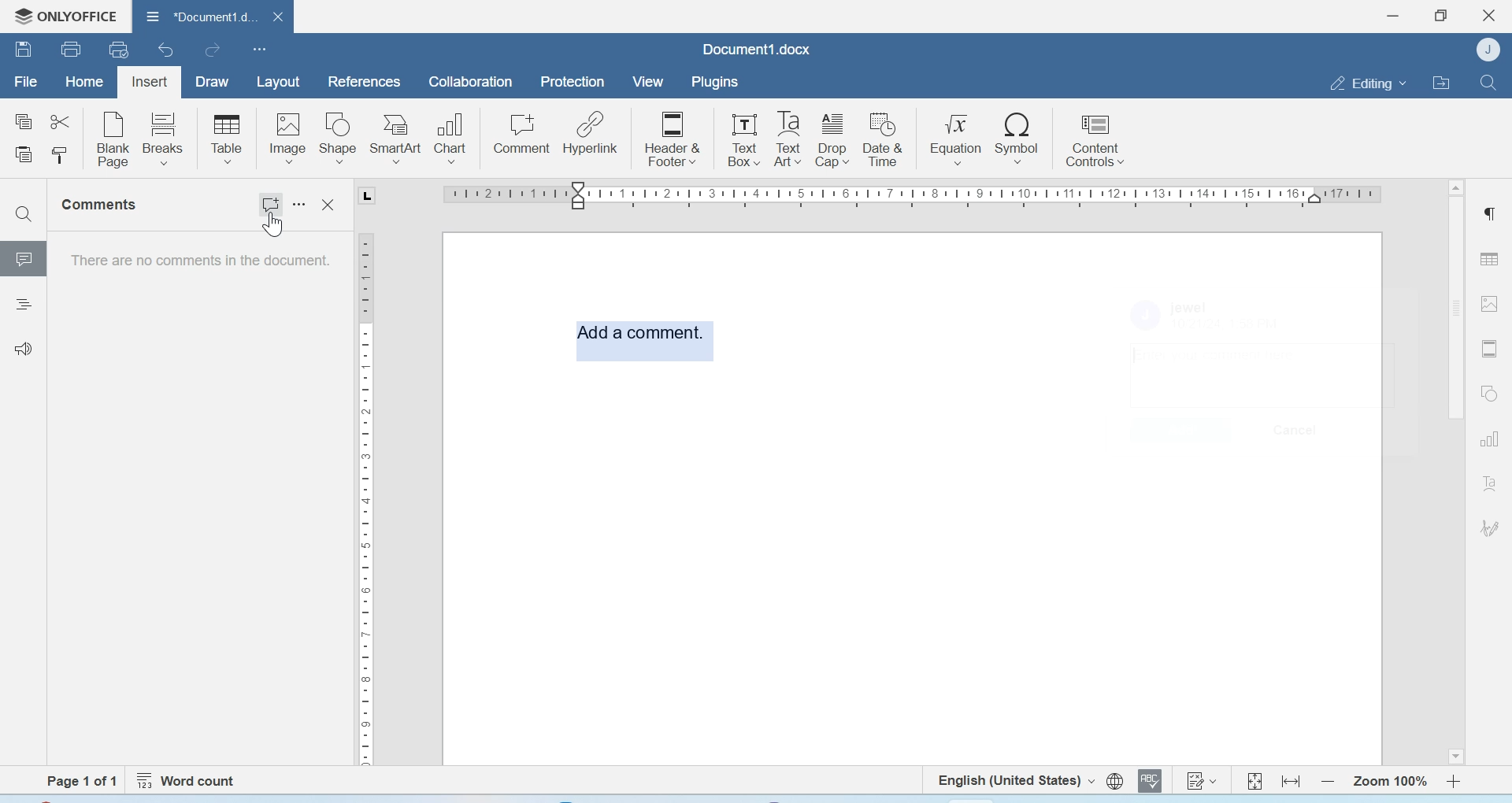 This screenshot has width=1512, height=803. I want to click on set document language, so click(1115, 781).